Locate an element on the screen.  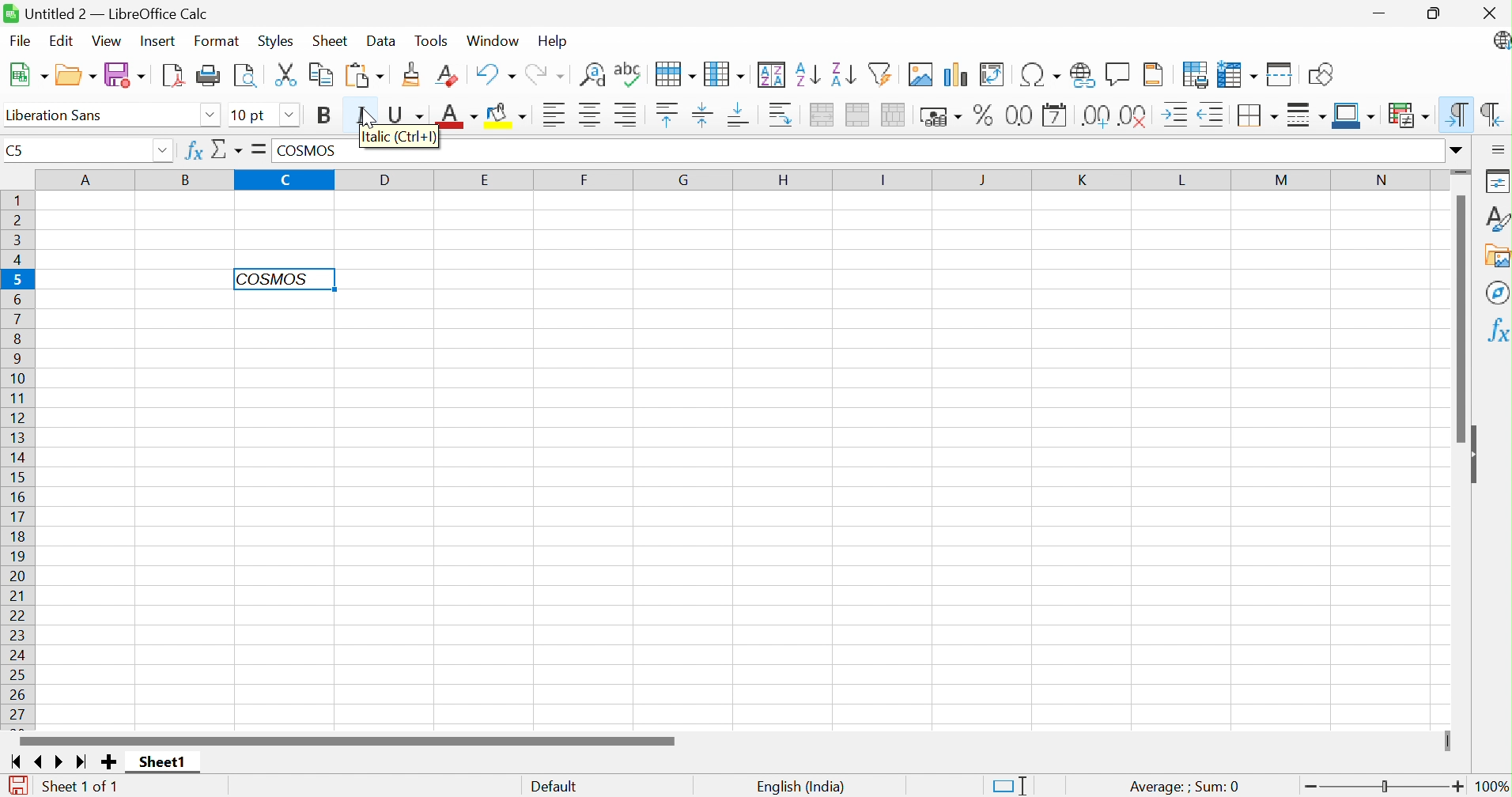
Align top is located at coordinates (668, 115).